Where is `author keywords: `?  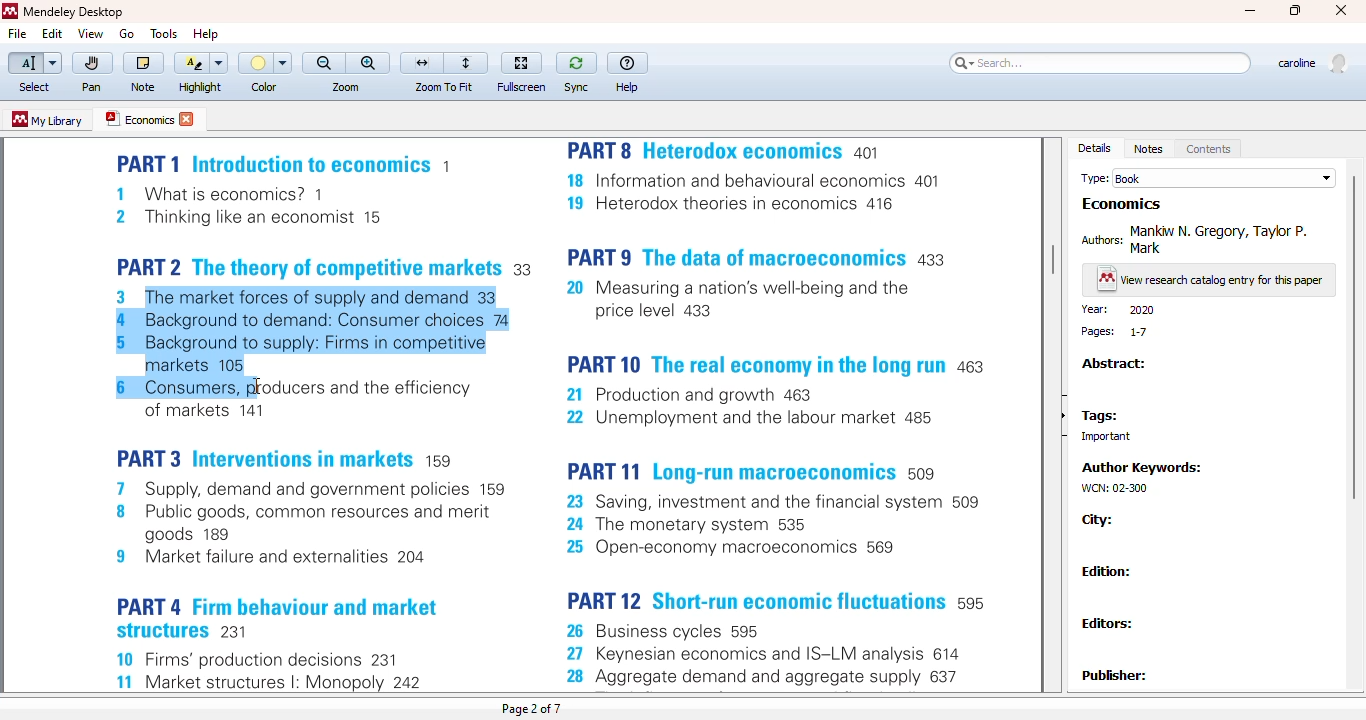 author keywords:  is located at coordinates (1145, 467).